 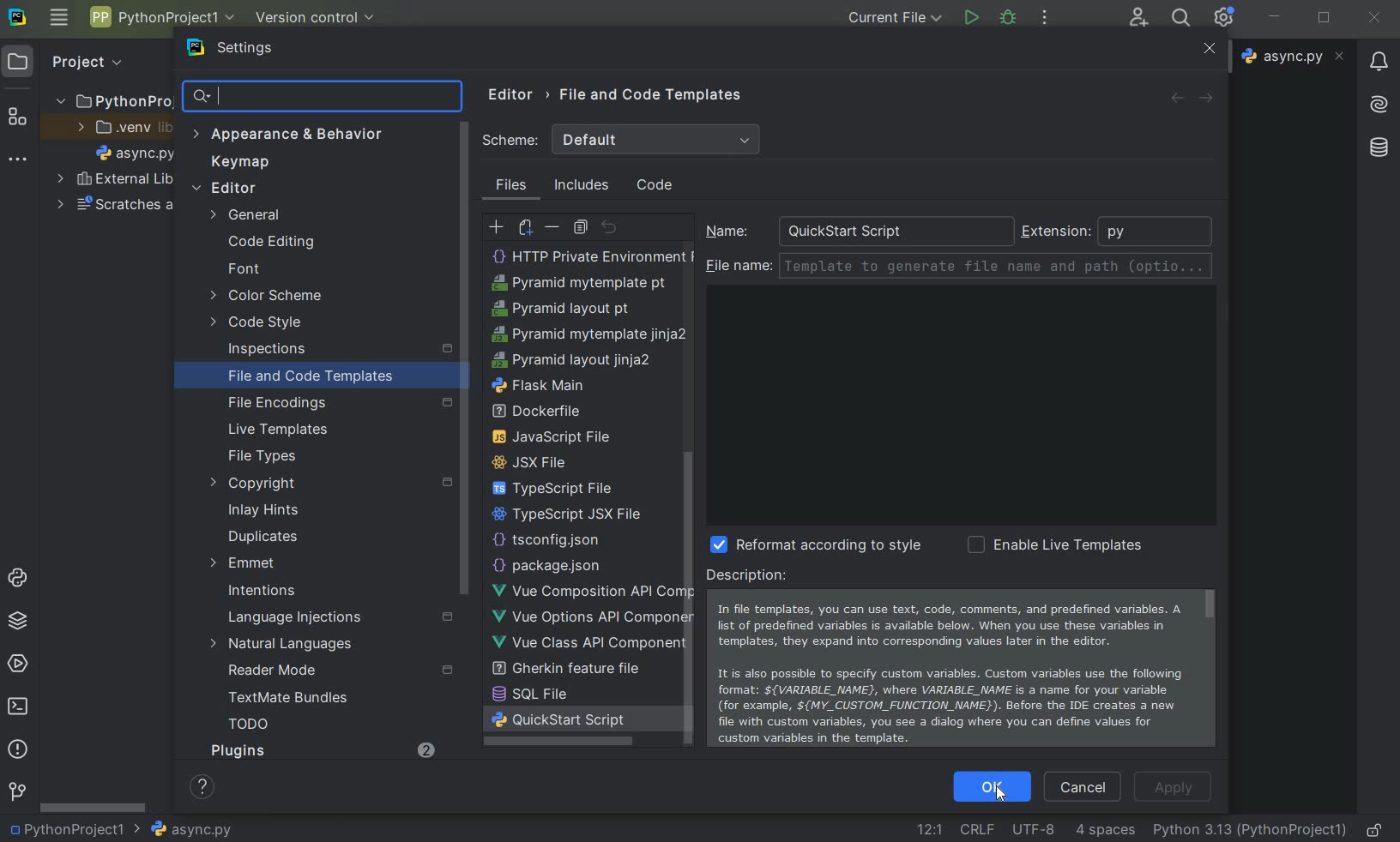 I want to click on TextMate Bundles, so click(x=305, y=698).